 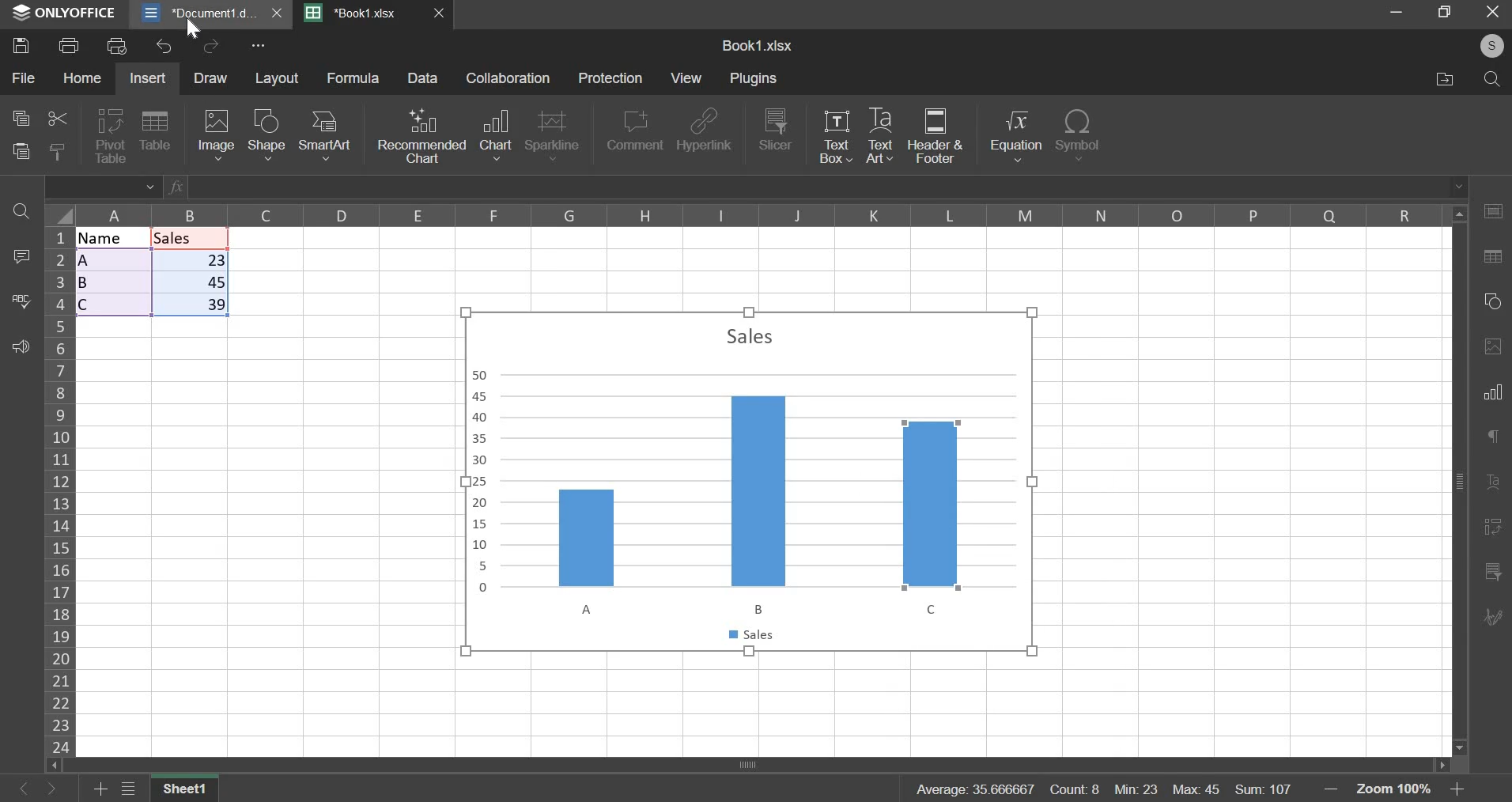 What do you see at coordinates (56, 119) in the screenshot?
I see `cut` at bounding box center [56, 119].